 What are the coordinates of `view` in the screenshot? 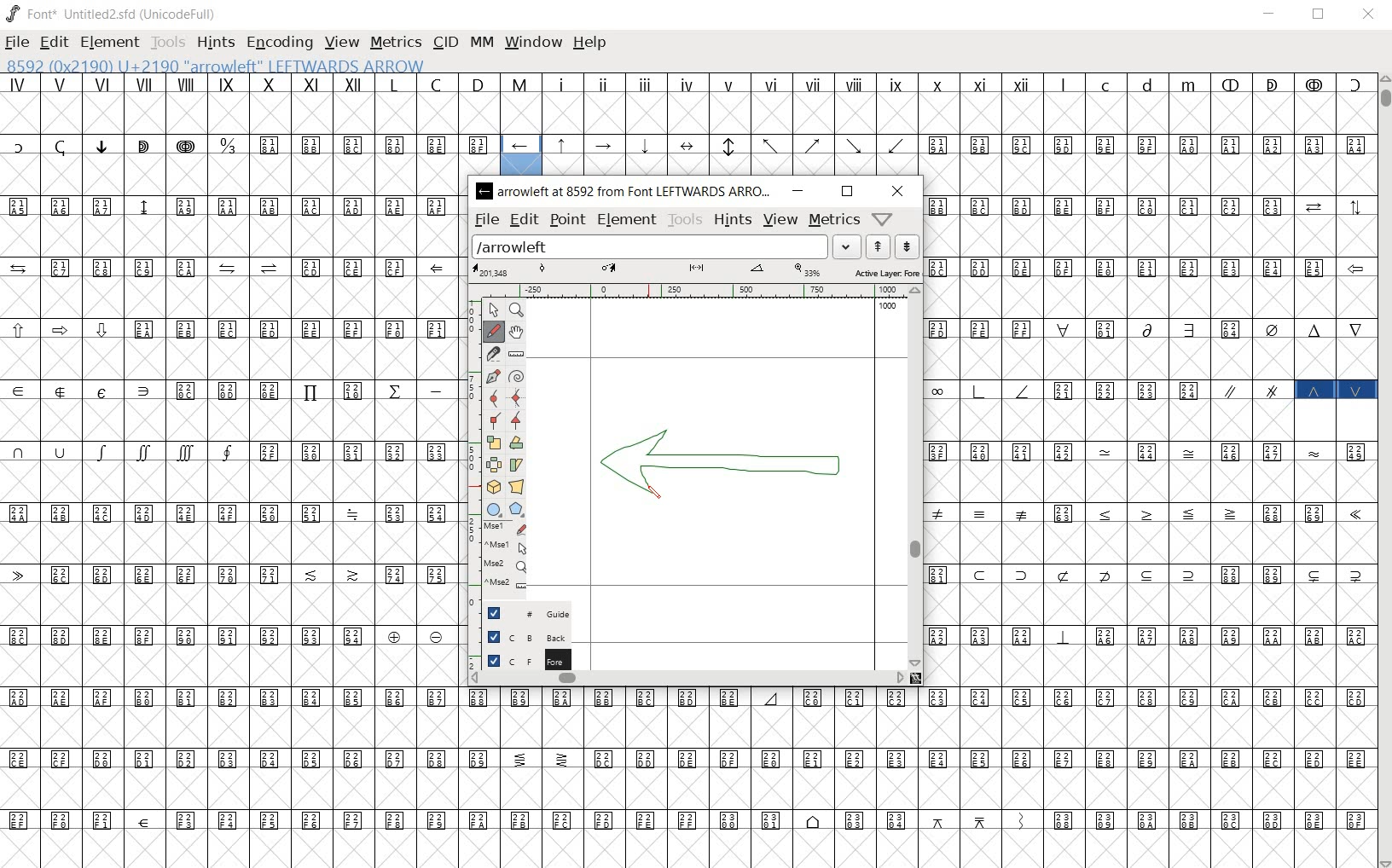 It's located at (782, 220).